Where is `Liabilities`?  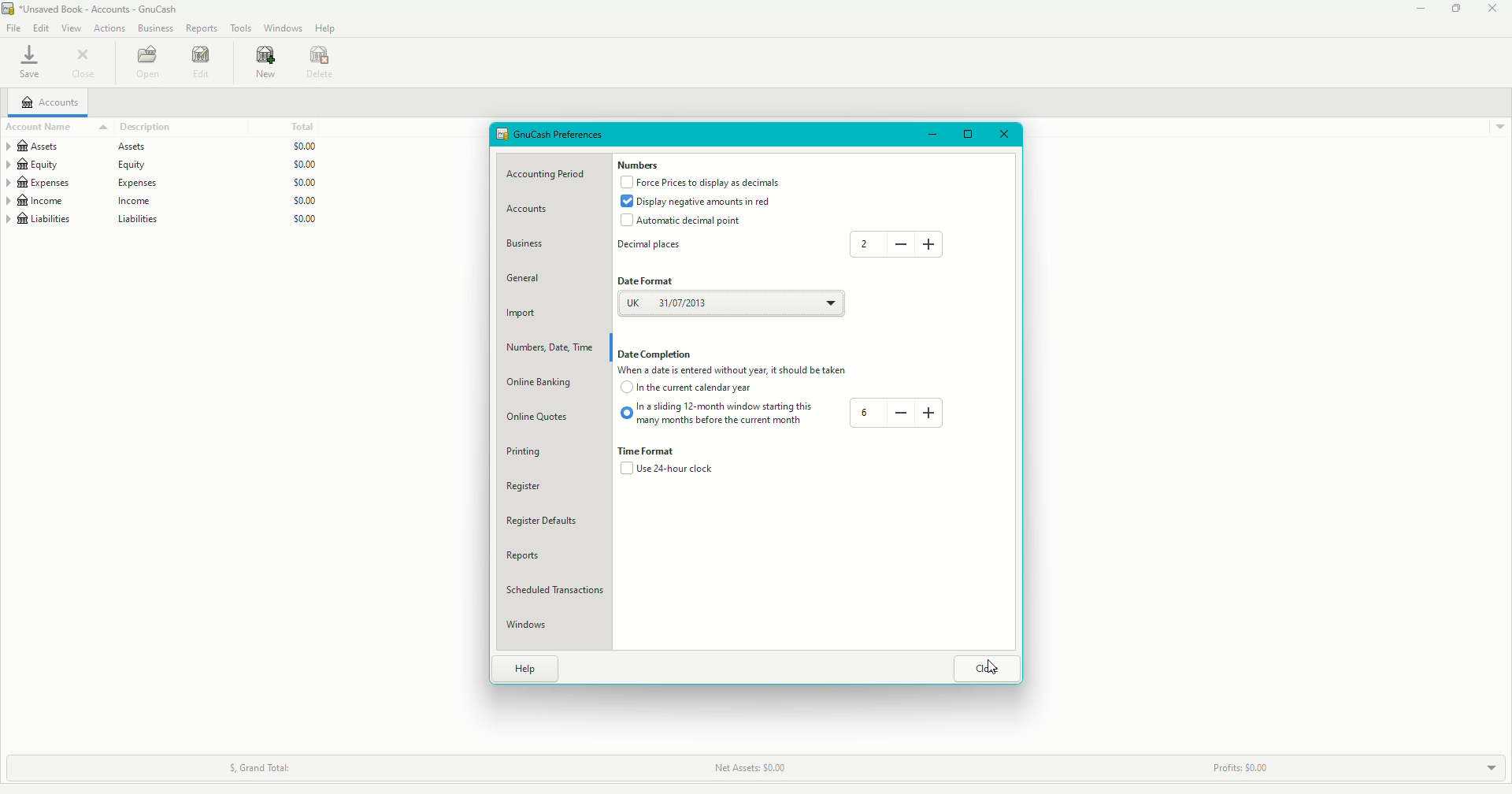
Liabilities is located at coordinates (163, 221).